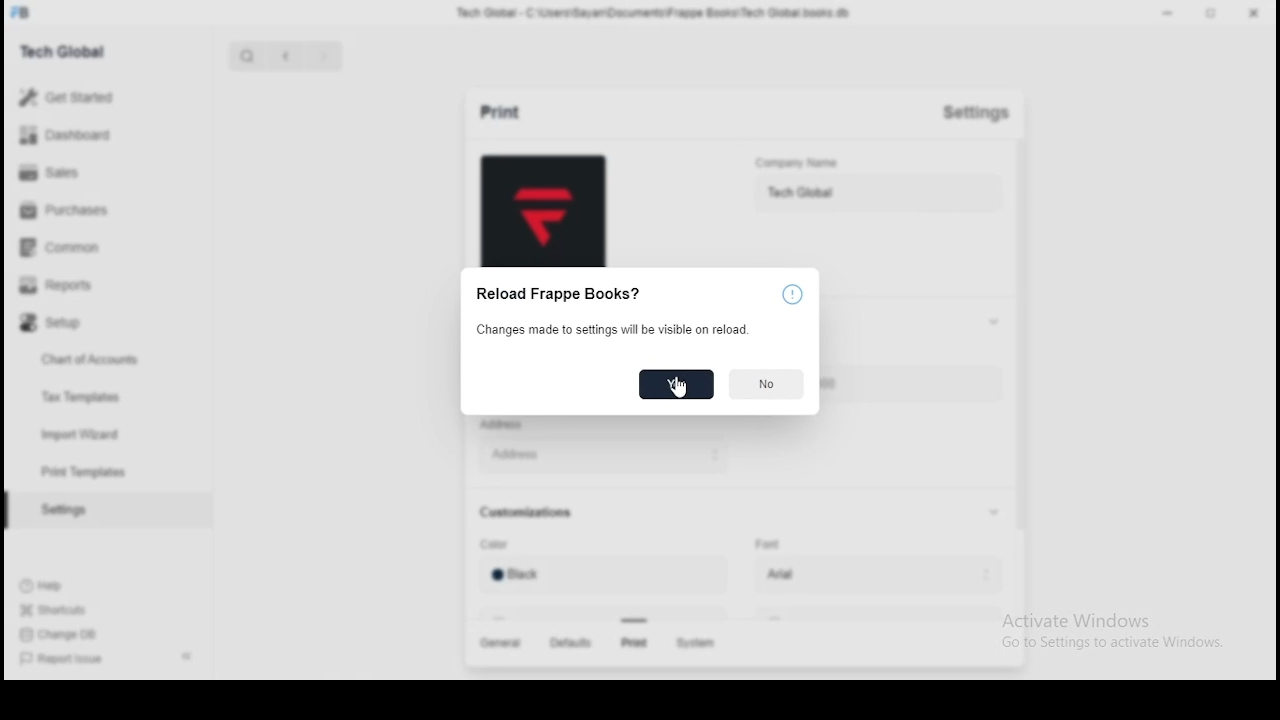 Image resolution: width=1280 pixels, height=720 pixels. Describe the element at coordinates (323, 58) in the screenshot. I see `go forward ` at that location.